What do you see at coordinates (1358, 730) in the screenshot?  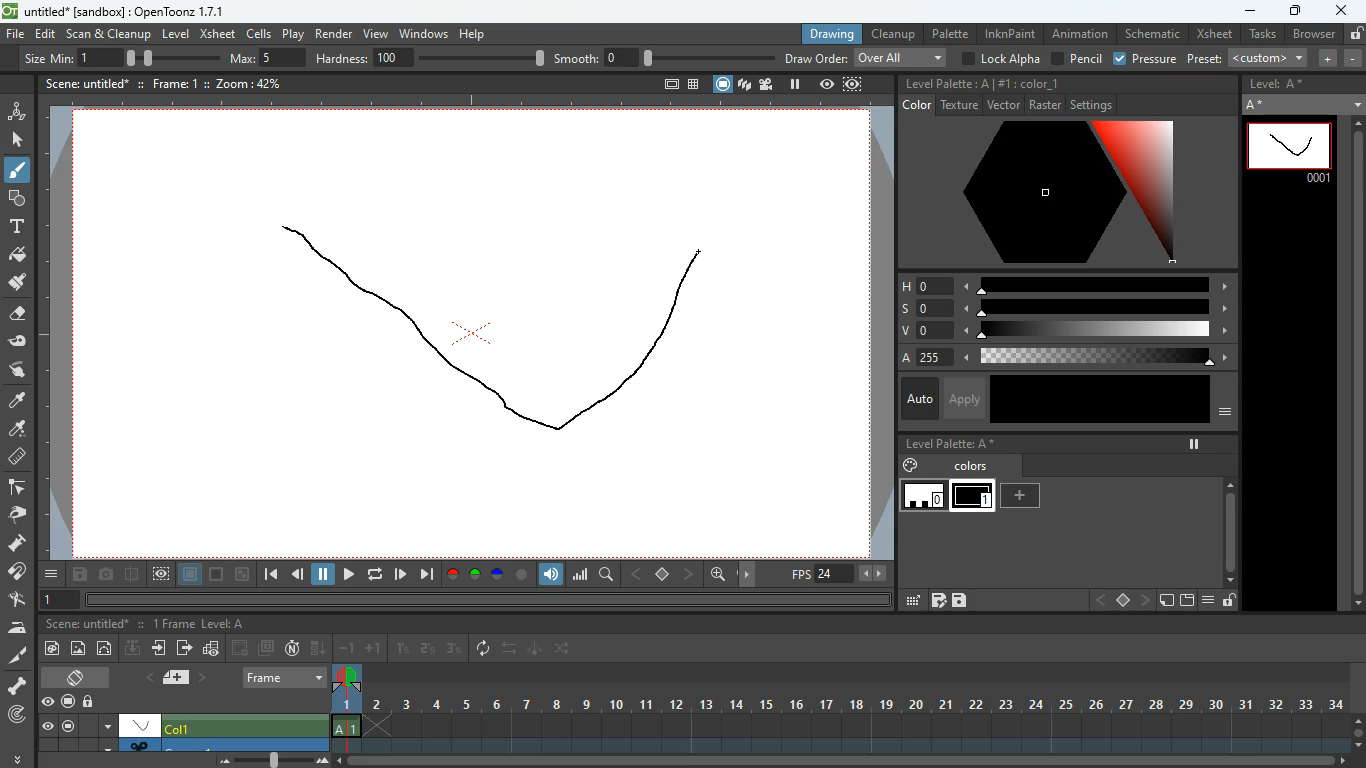 I see `scroll` at bounding box center [1358, 730].